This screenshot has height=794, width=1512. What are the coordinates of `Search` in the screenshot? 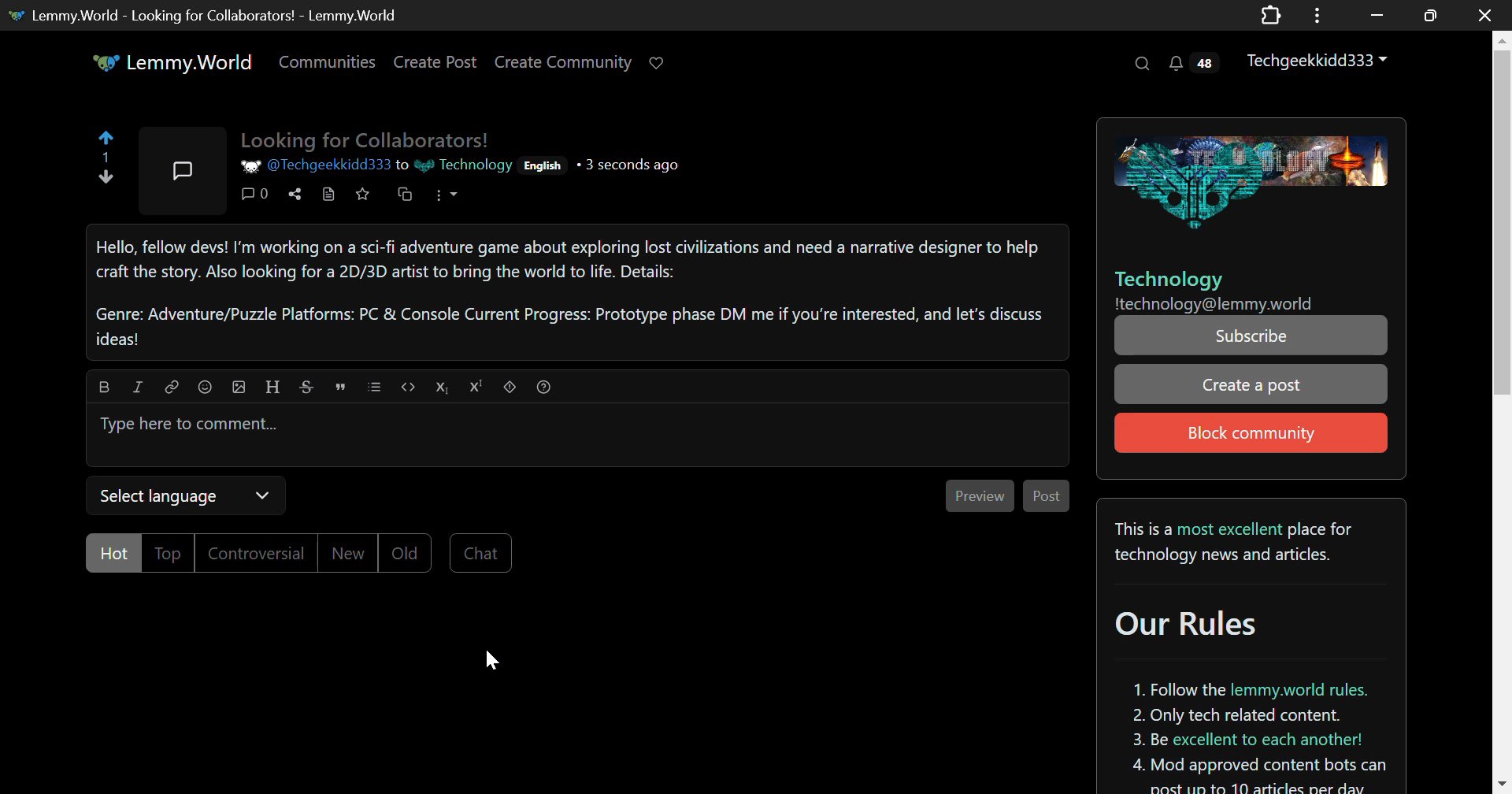 It's located at (1144, 65).